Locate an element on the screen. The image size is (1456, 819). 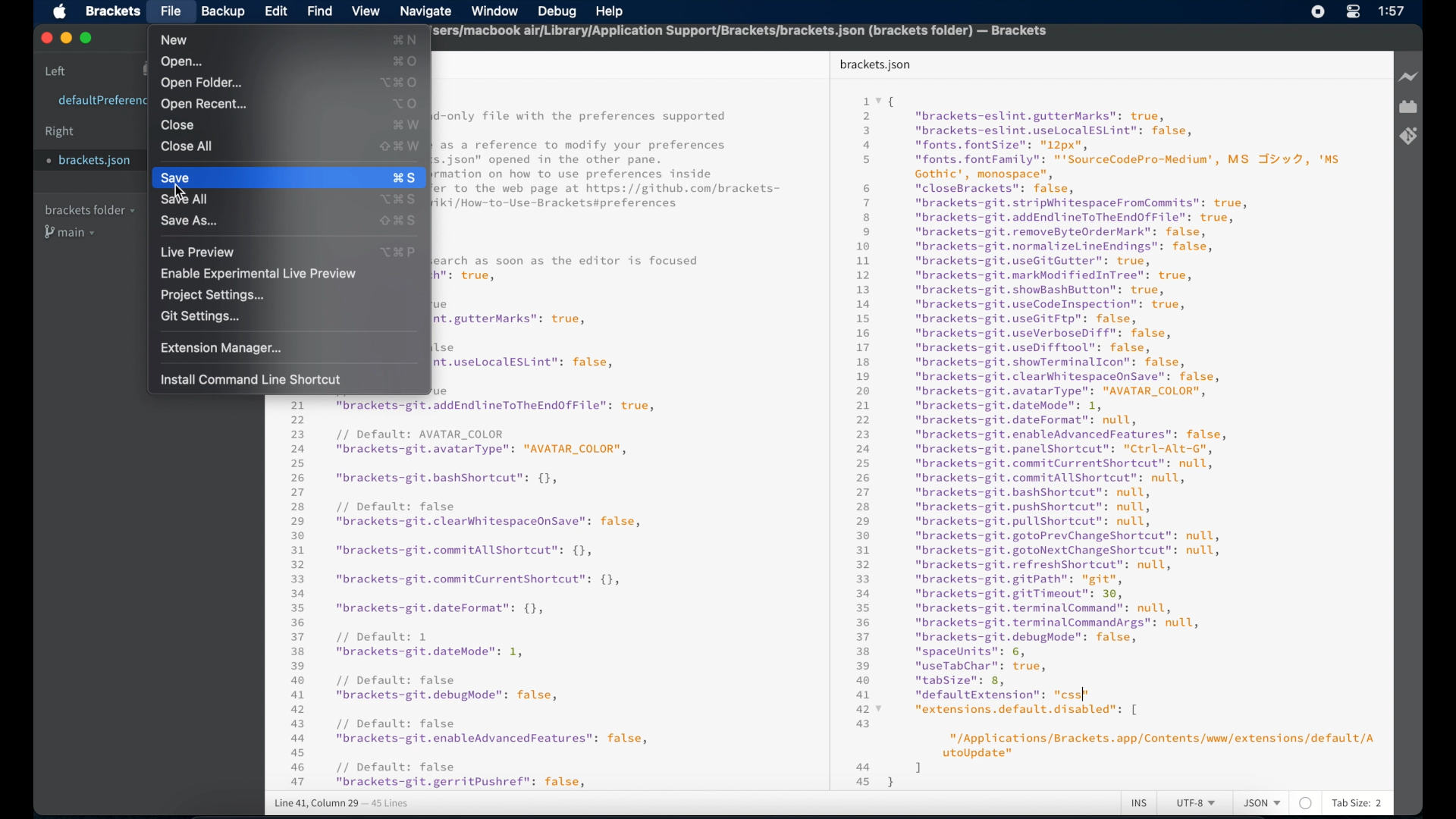
close all shortcut is located at coordinates (397, 146).